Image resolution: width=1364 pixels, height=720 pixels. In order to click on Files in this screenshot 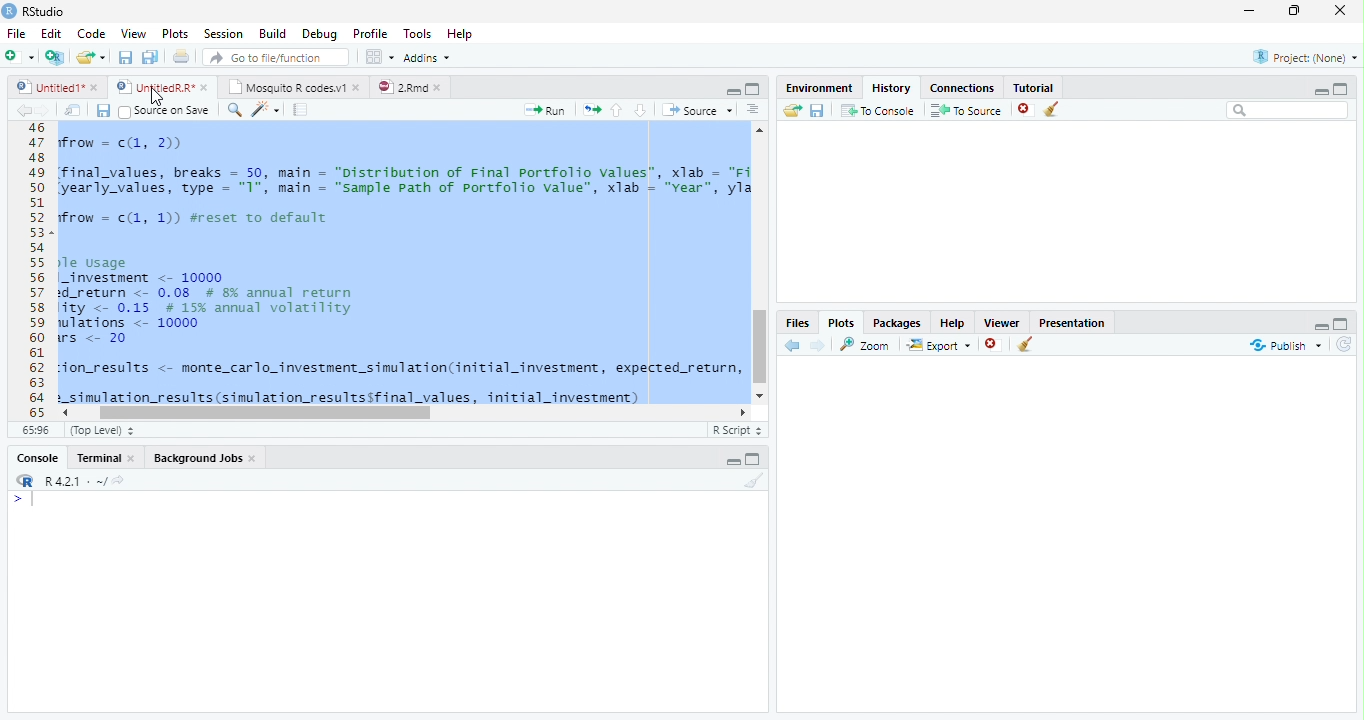, I will do `click(798, 322)`.